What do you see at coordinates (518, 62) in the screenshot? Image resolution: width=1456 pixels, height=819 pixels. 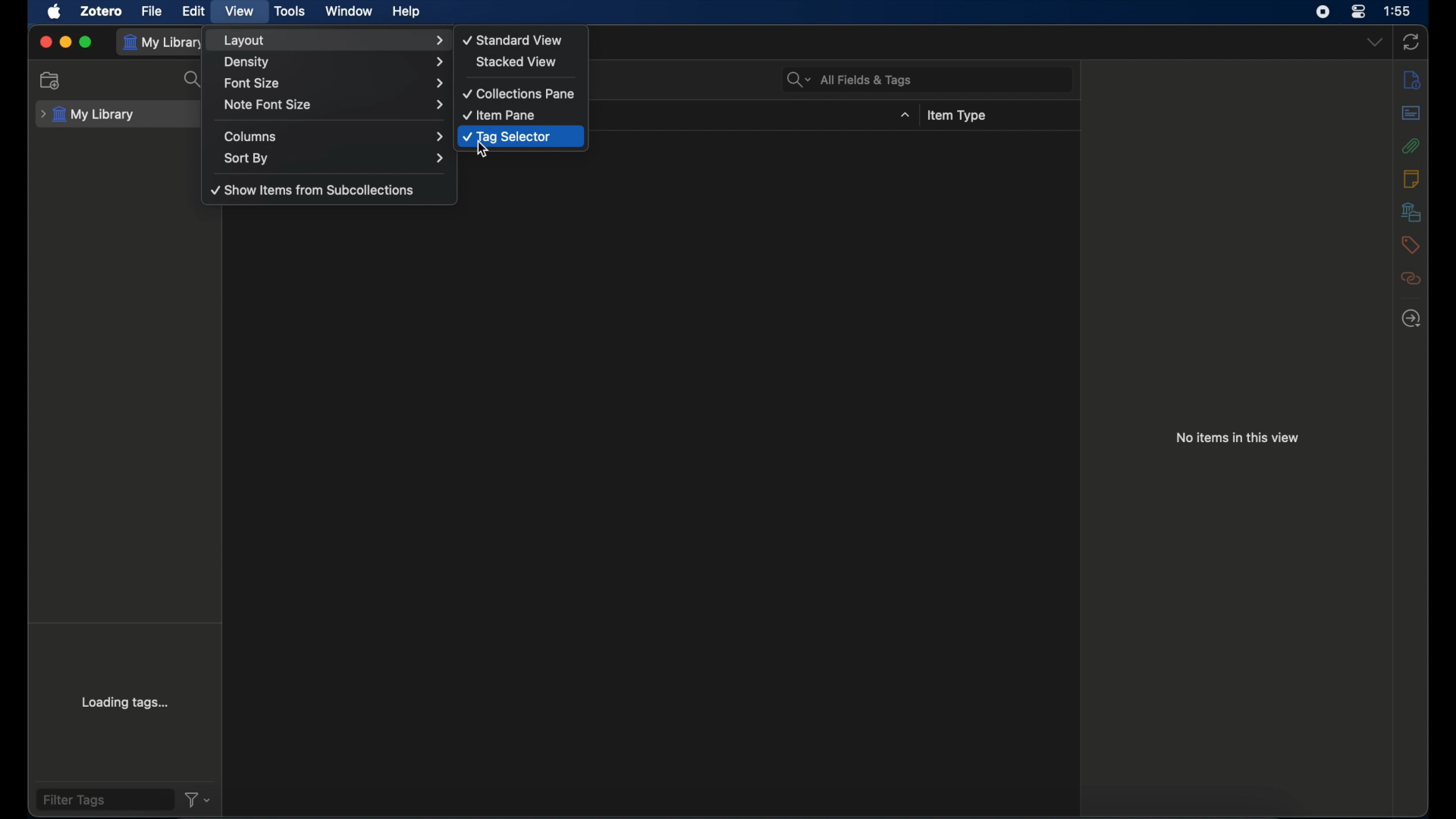 I see `stacked view` at bounding box center [518, 62].